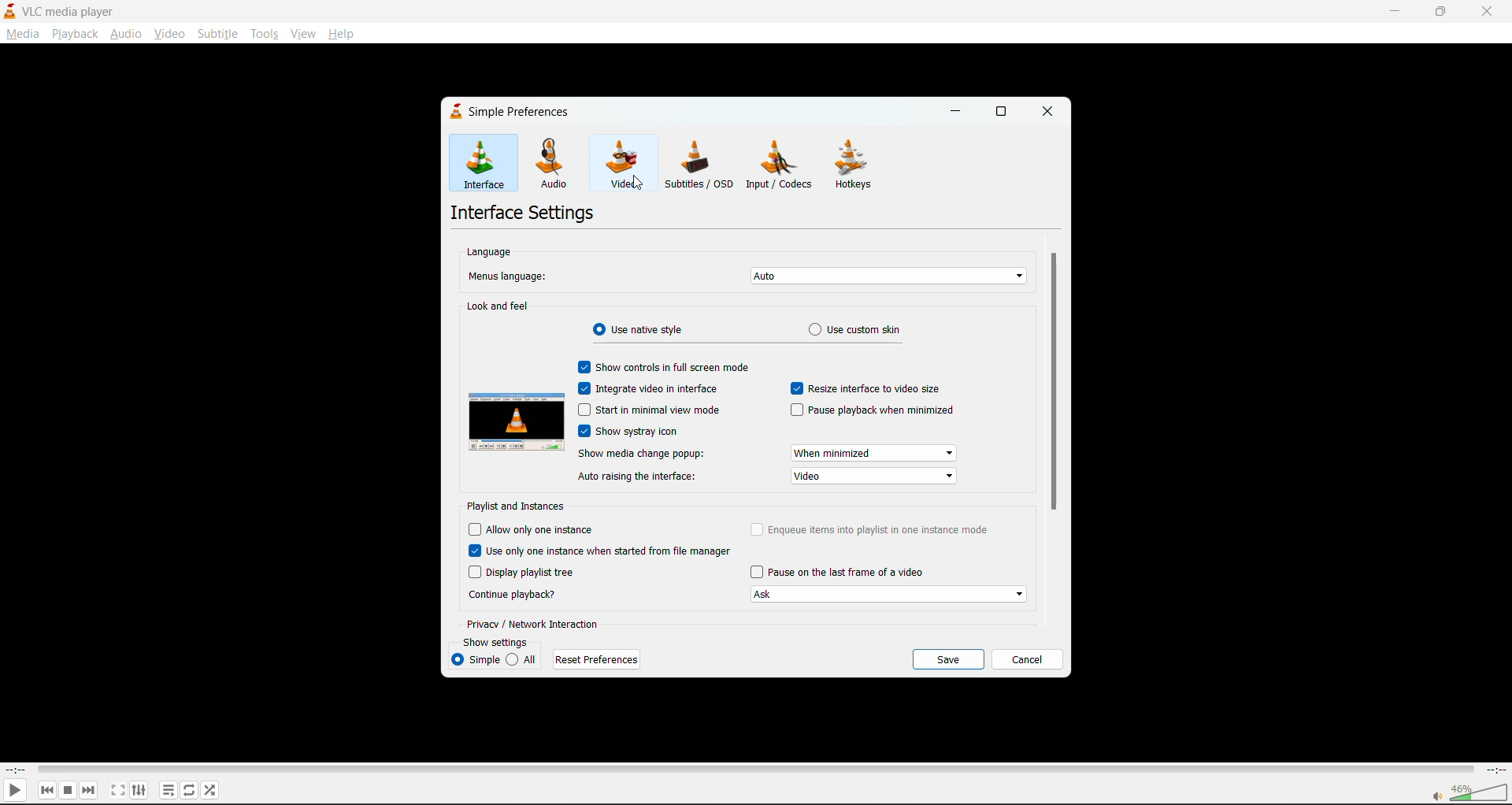 This screenshot has height=805, width=1512. What do you see at coordinates (126, 32) in the screenshot?
I see `audio` at bounding box center [126, 32].